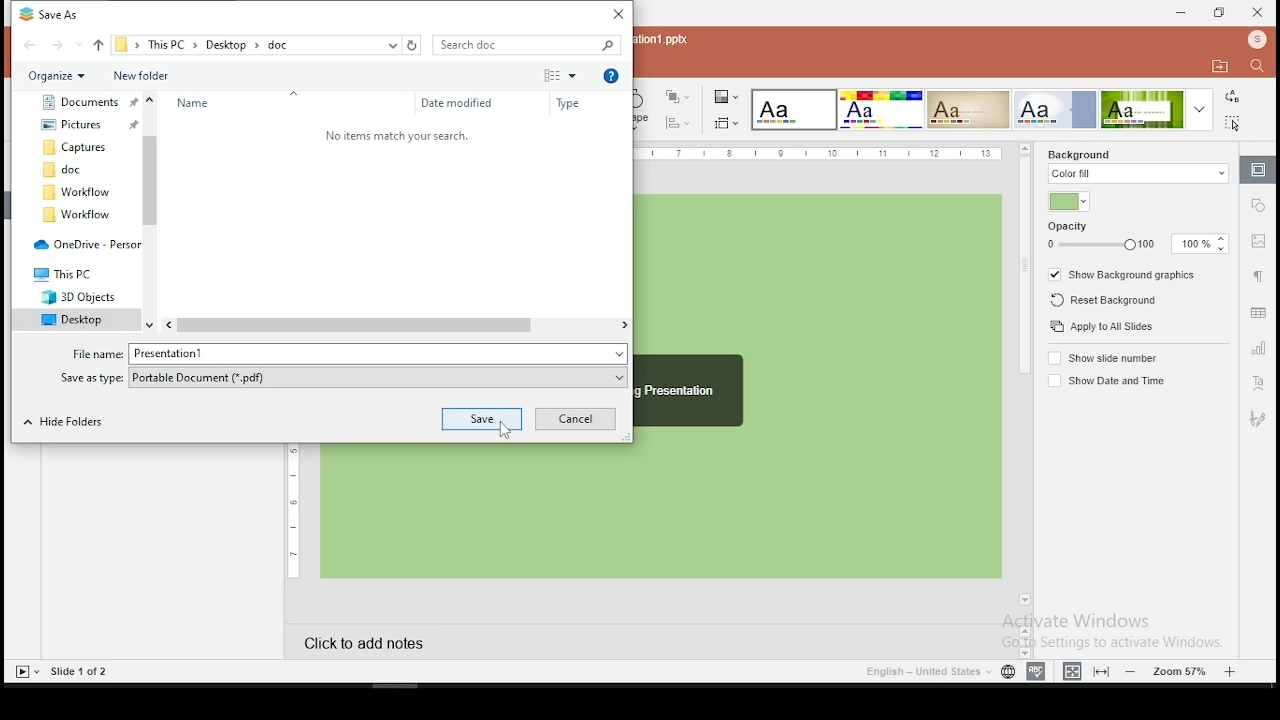 This screenshot has width=1280, height=720. I want to click on apply to all slides, so click(1099, 326).